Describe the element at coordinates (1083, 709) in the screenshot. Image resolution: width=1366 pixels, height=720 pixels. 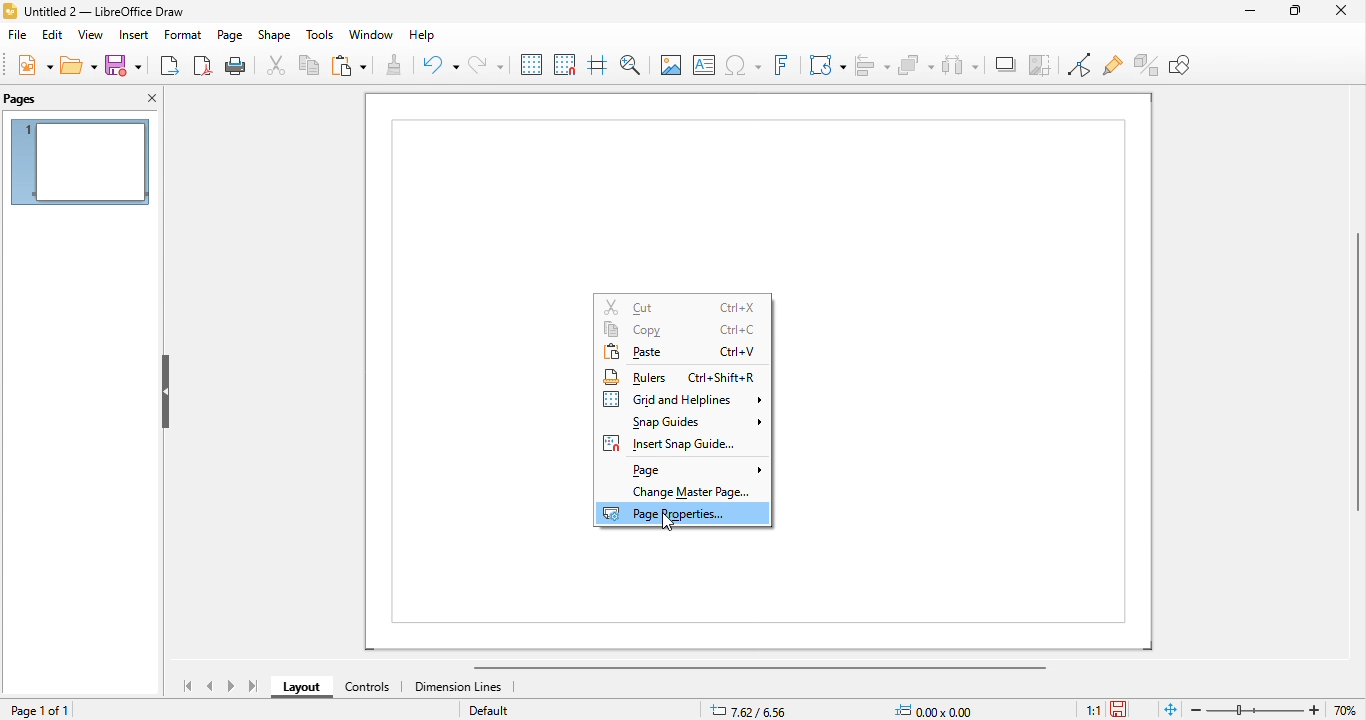
I see `1:1` at that location.